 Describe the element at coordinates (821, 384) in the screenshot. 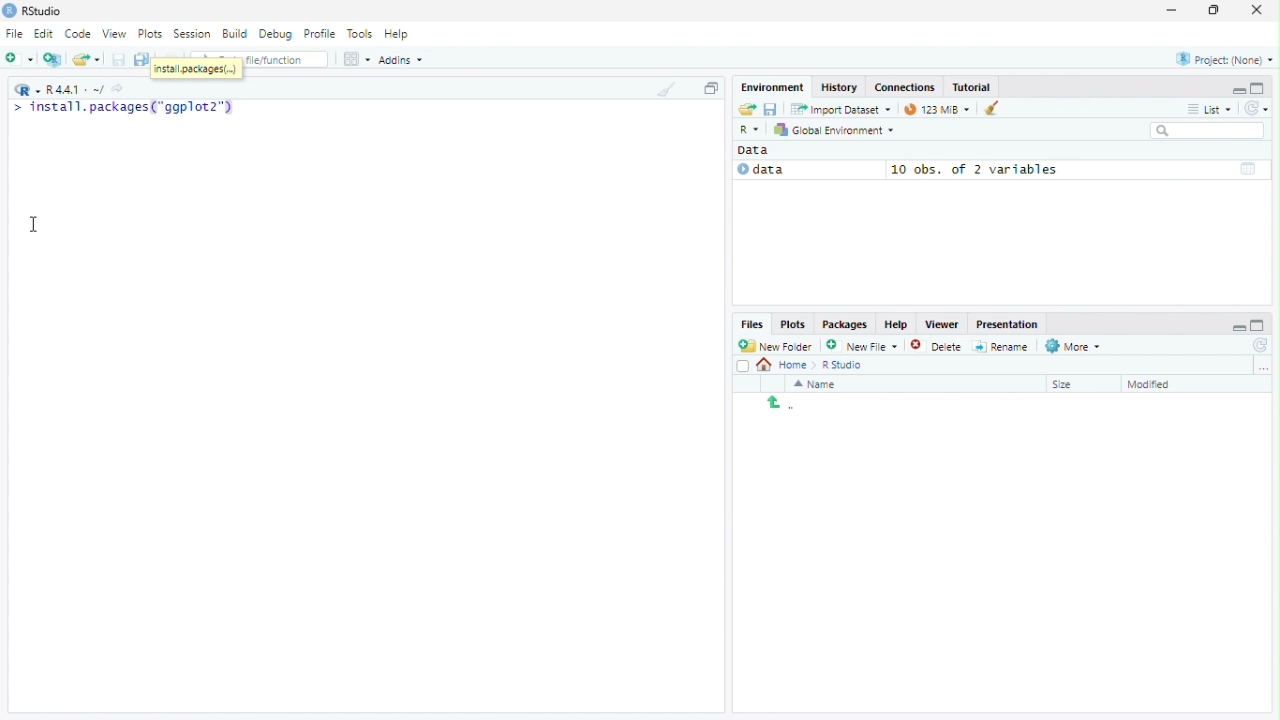

I see `Sort by name` at that location.